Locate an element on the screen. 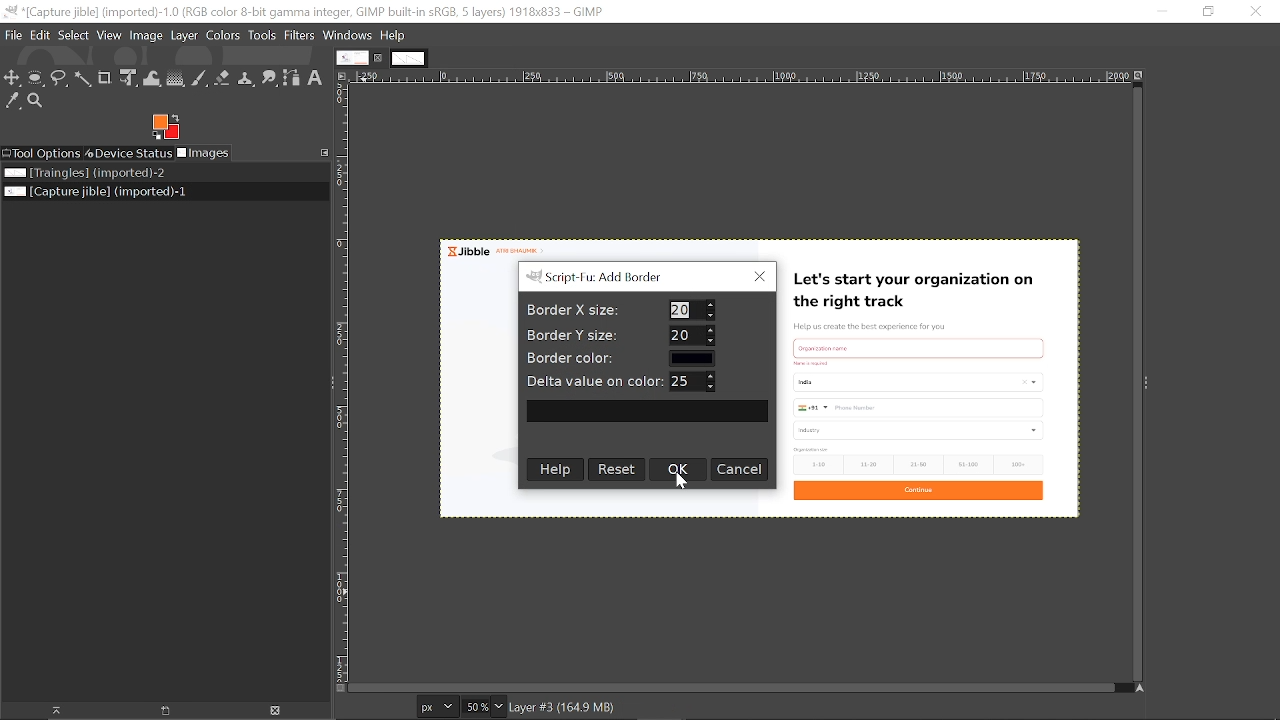  Current zoom is located at coordinates (475, 708).